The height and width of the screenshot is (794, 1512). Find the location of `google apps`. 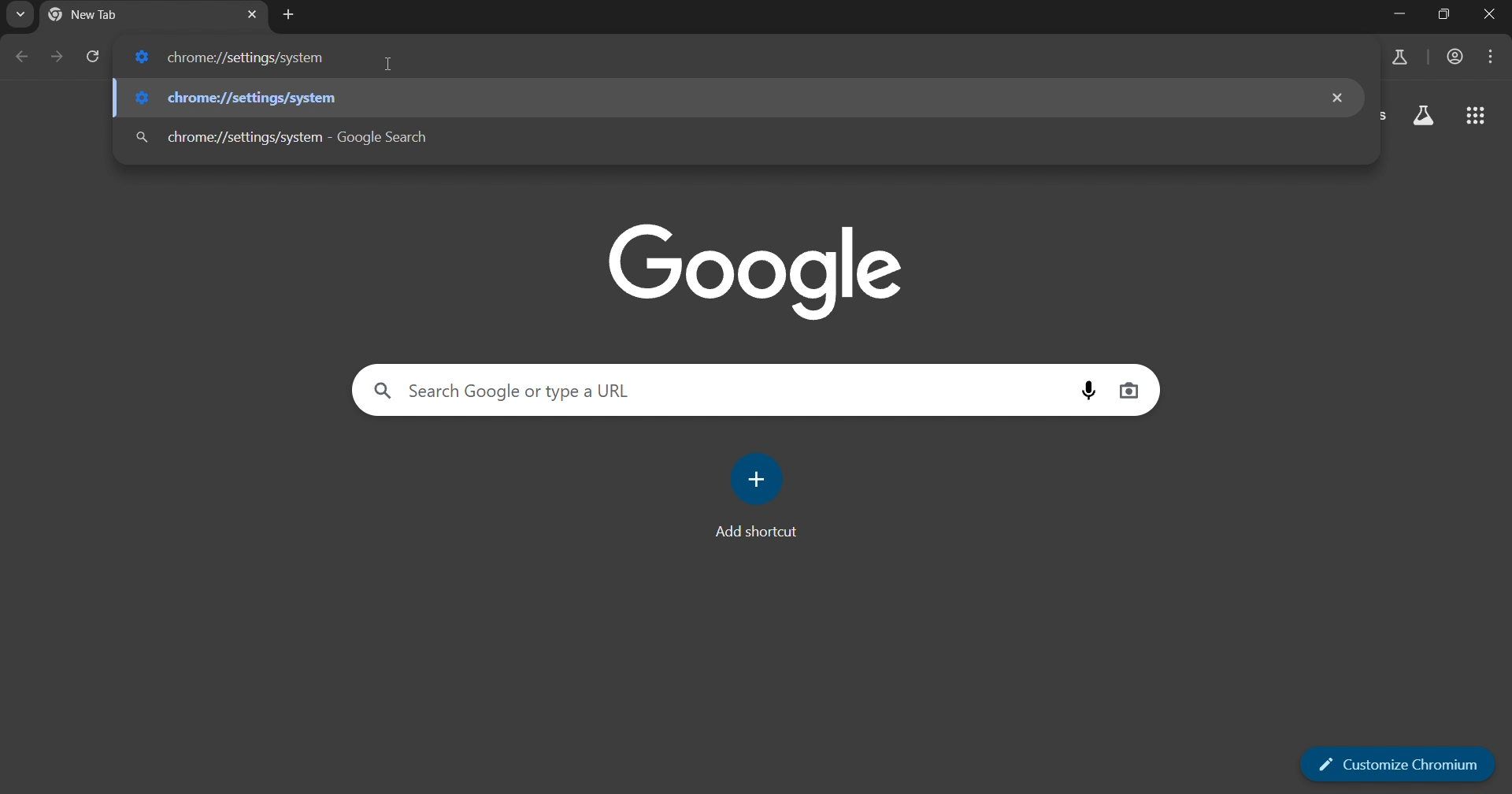

google apps is located at coordinates (1424, 117).